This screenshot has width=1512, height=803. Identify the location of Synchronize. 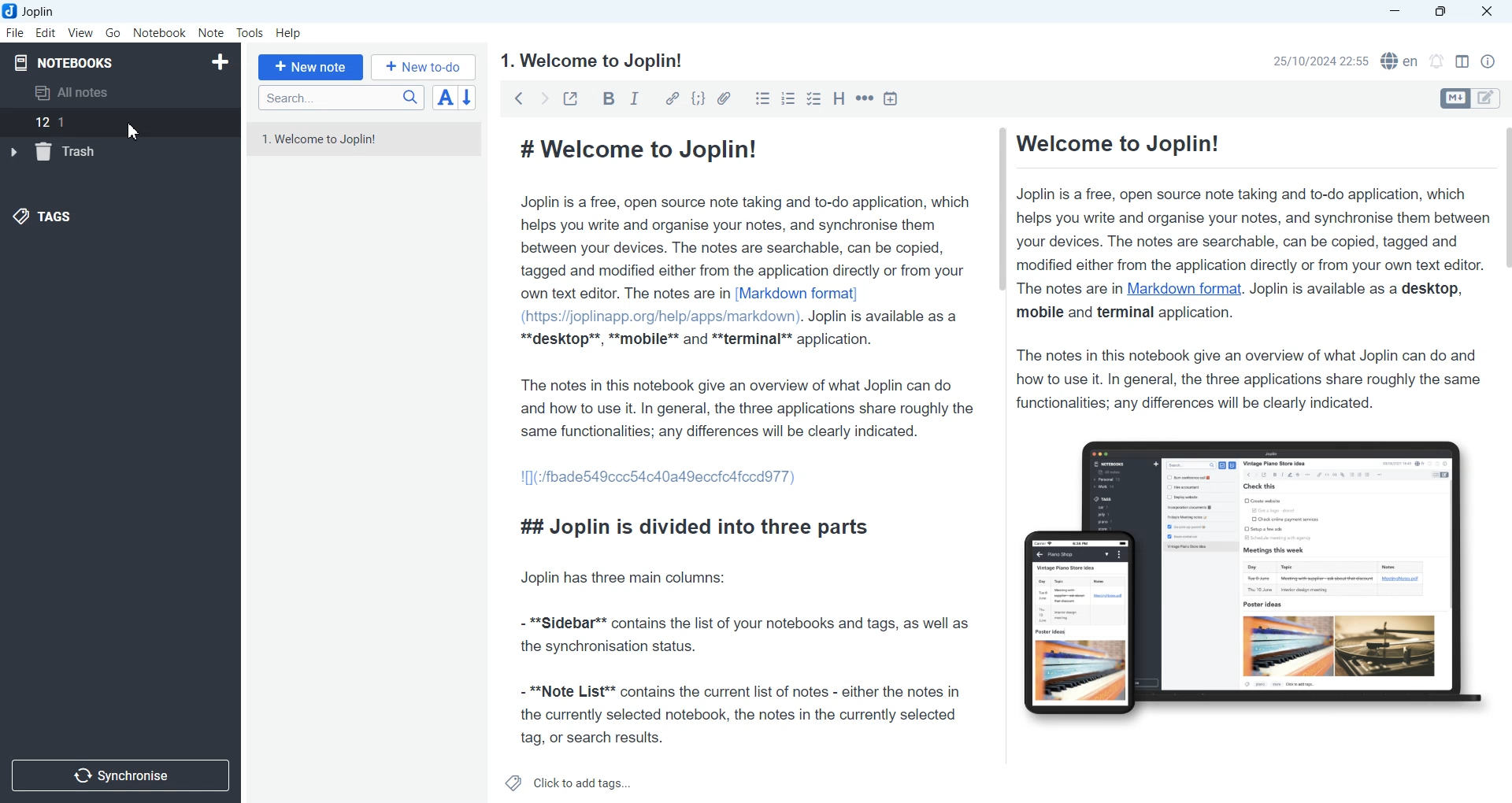
(120, 774).